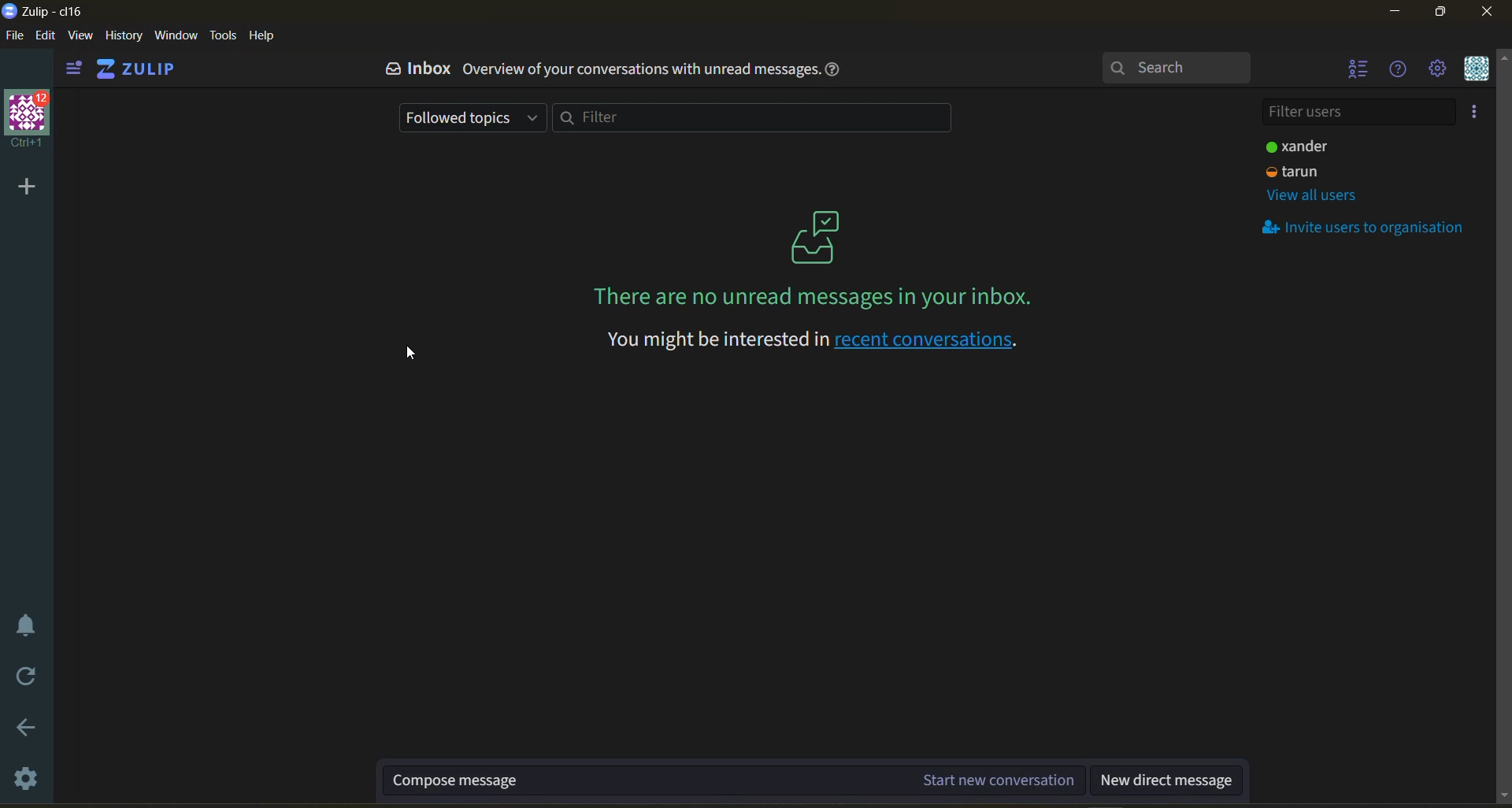 Image resolution: width=1512 pixels, height=808 pixels. Describe the element at coordinates (1482, 70) in the screenshot. I see `personal menu` at that location.